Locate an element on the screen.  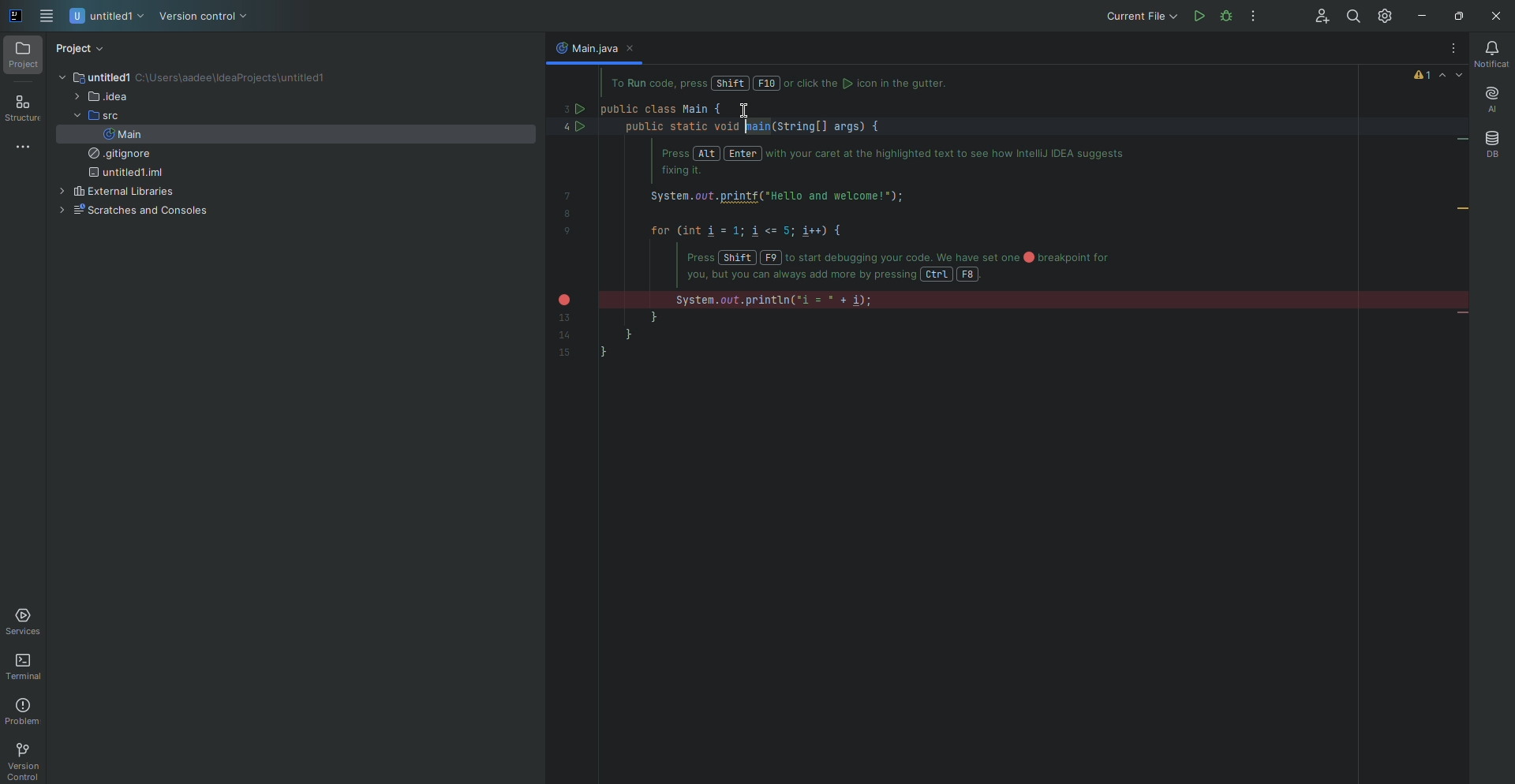
Structure is located at coordinates (23, 110).